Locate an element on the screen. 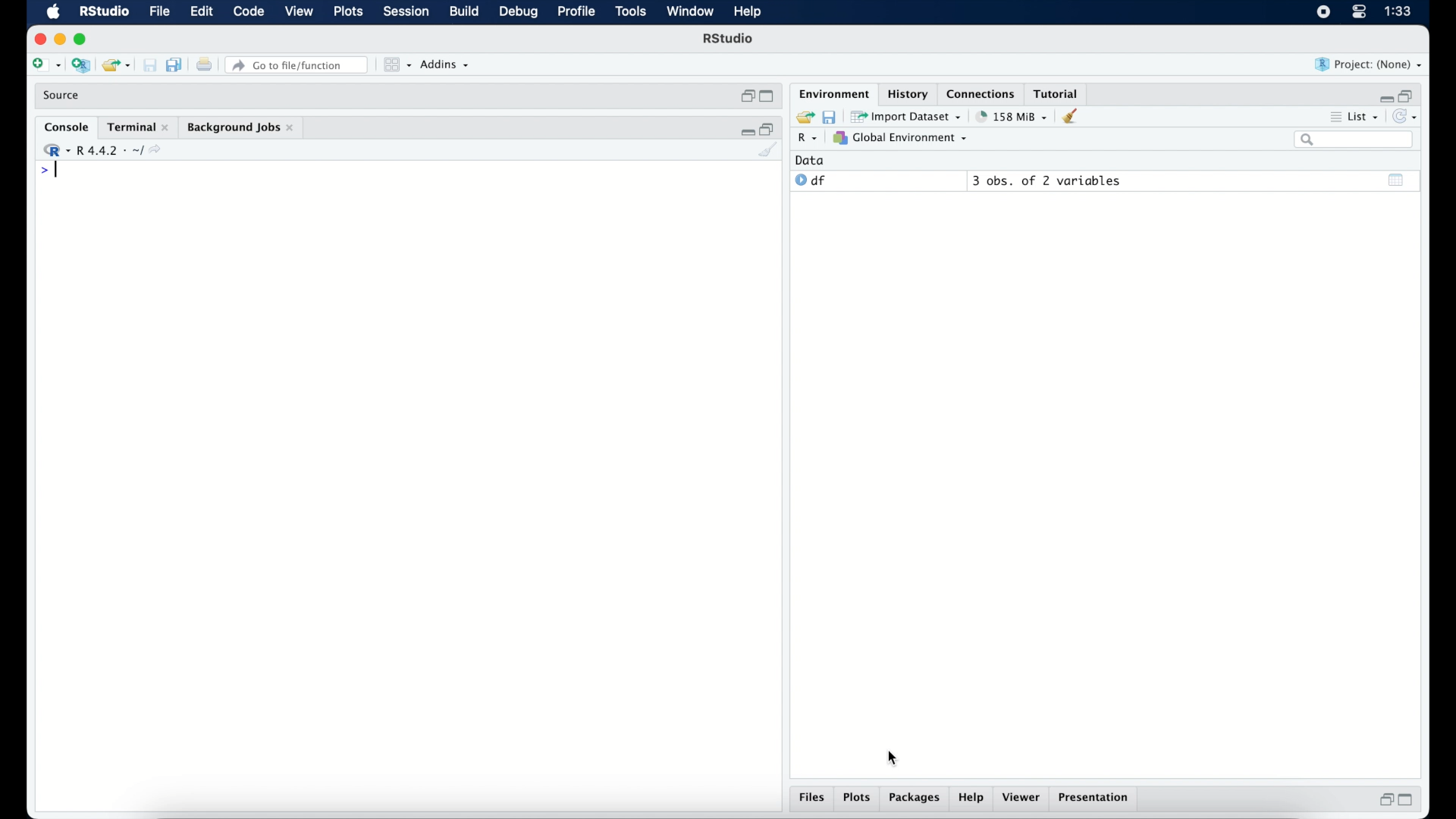 The image size is (1456, 819). close is located at coordinates (37, 37).